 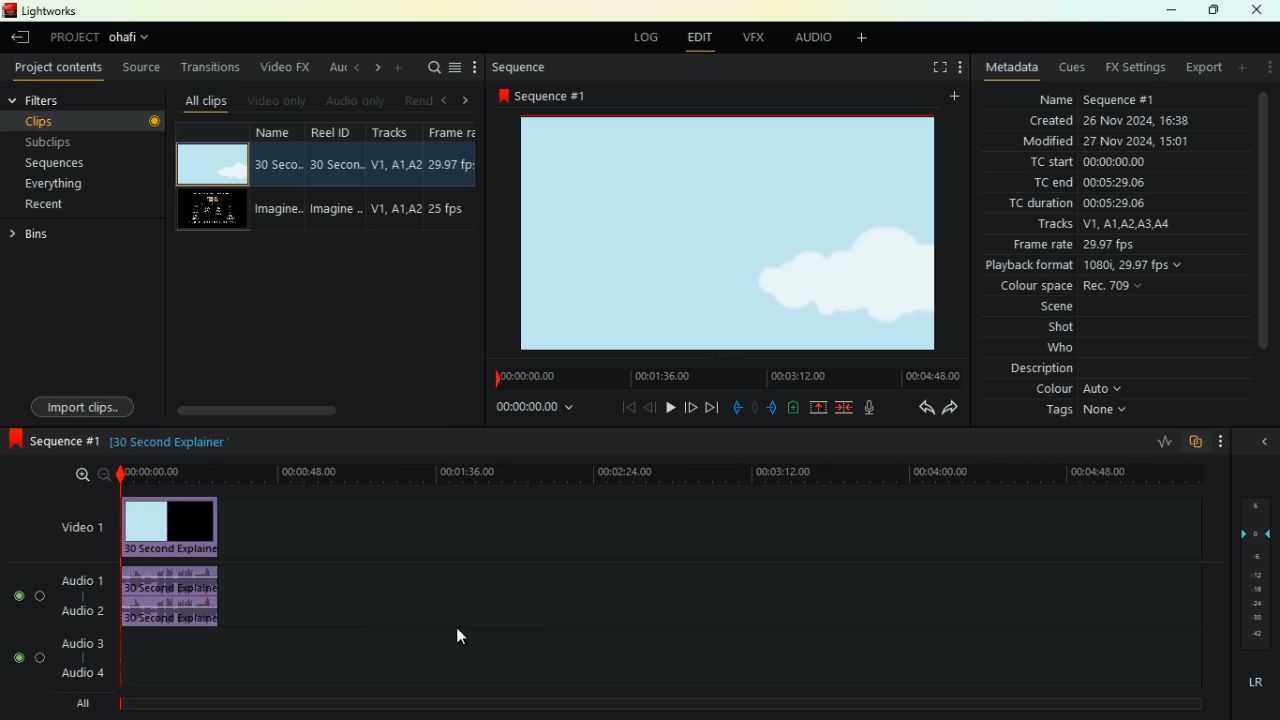 What do you see at coordinates (1118, 119) in the screenshot?
I see `created 26 Nov 2024, 16:38` at bounding box center [1118, 119].